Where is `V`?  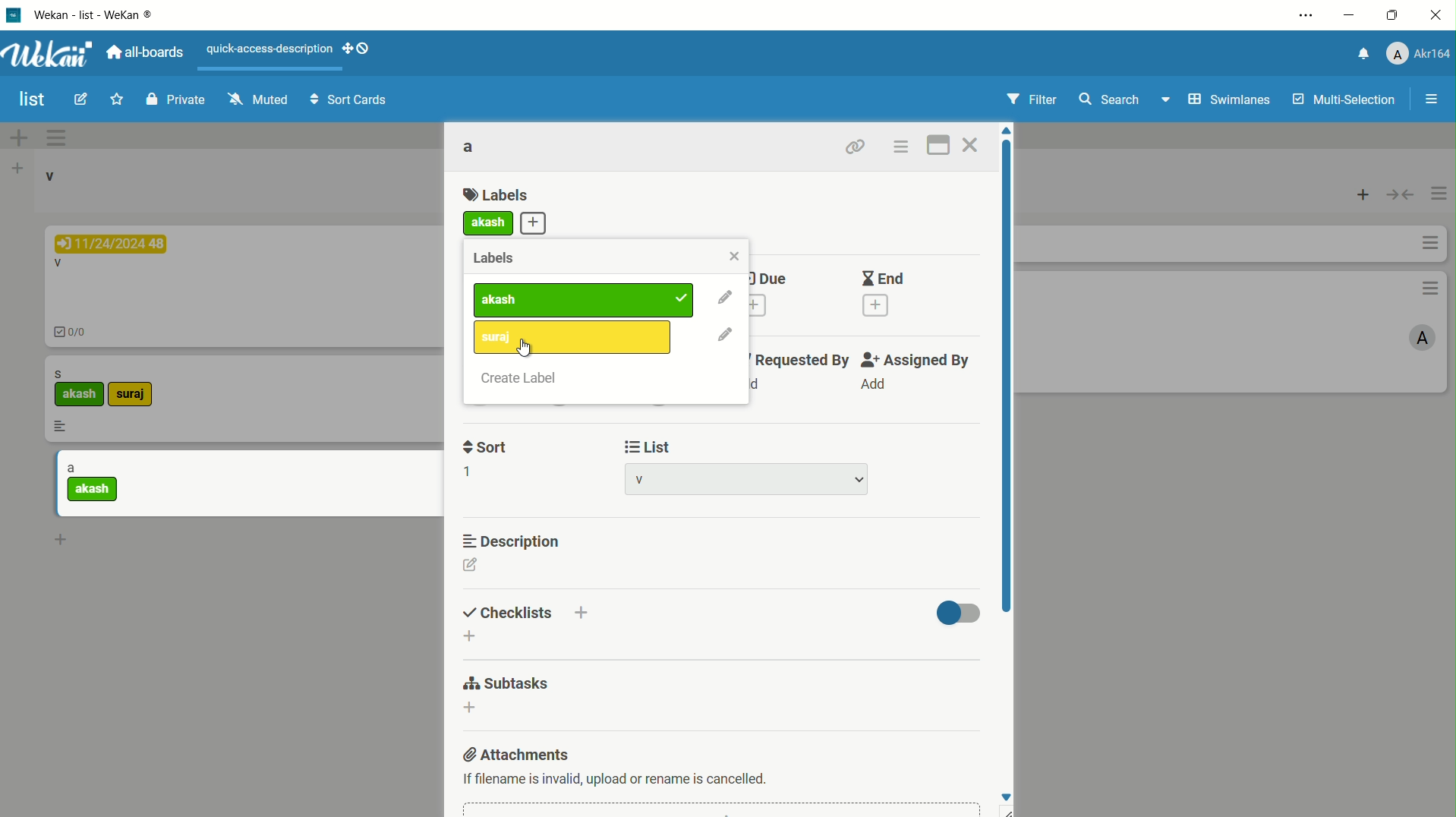 V is located at coordinates (57, 264).